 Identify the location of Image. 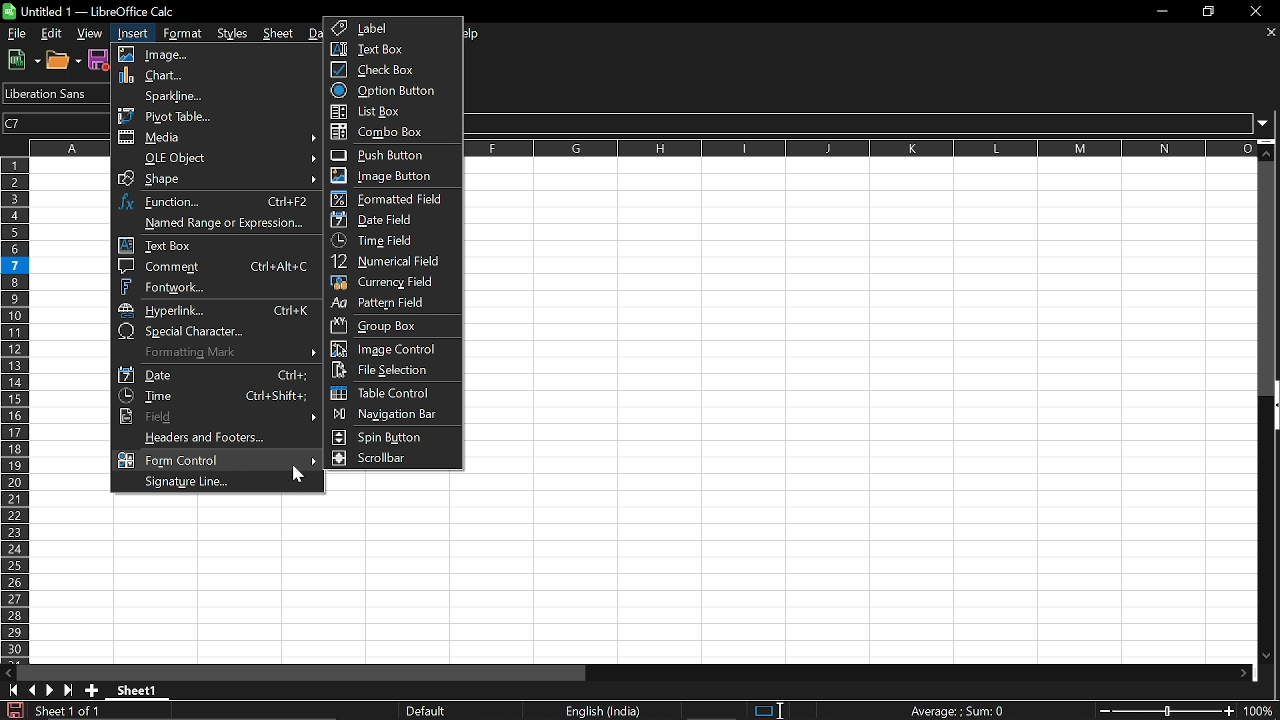
(215, 54).